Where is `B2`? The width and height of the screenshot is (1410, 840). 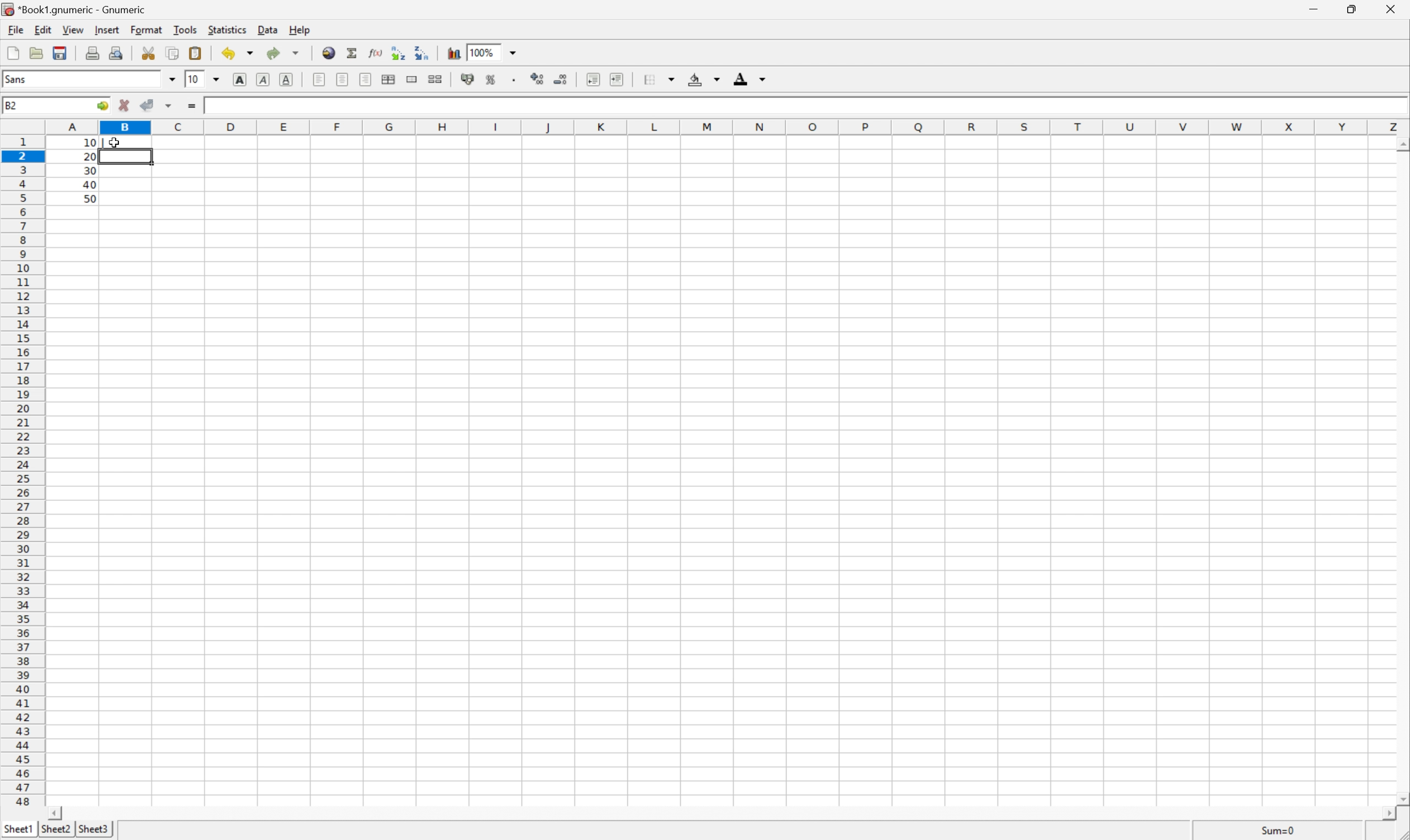 B2 is located at coordinates (11, 104).